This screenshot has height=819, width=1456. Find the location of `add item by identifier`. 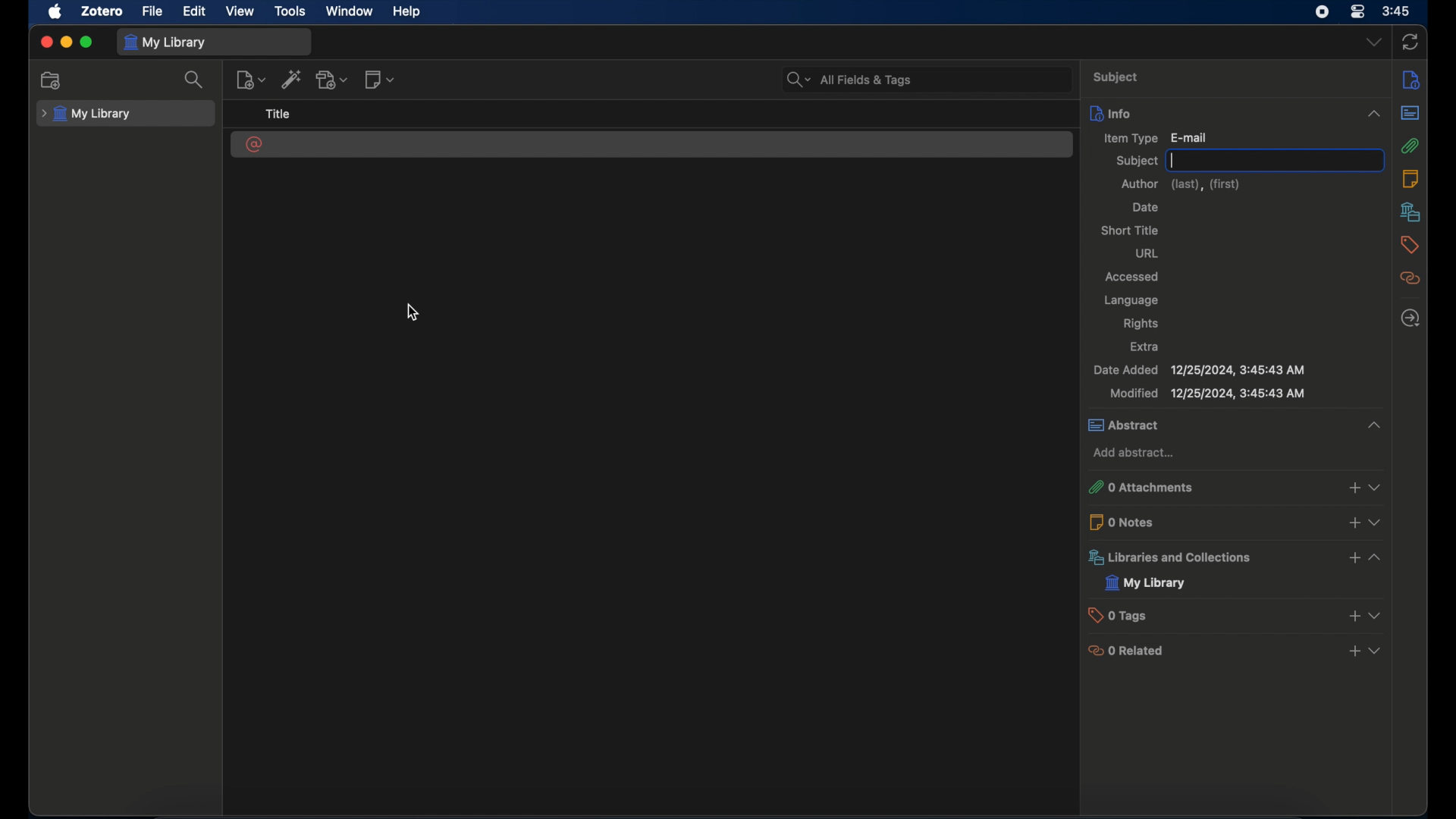

add item by identifier is located at coordinates (293, 81).